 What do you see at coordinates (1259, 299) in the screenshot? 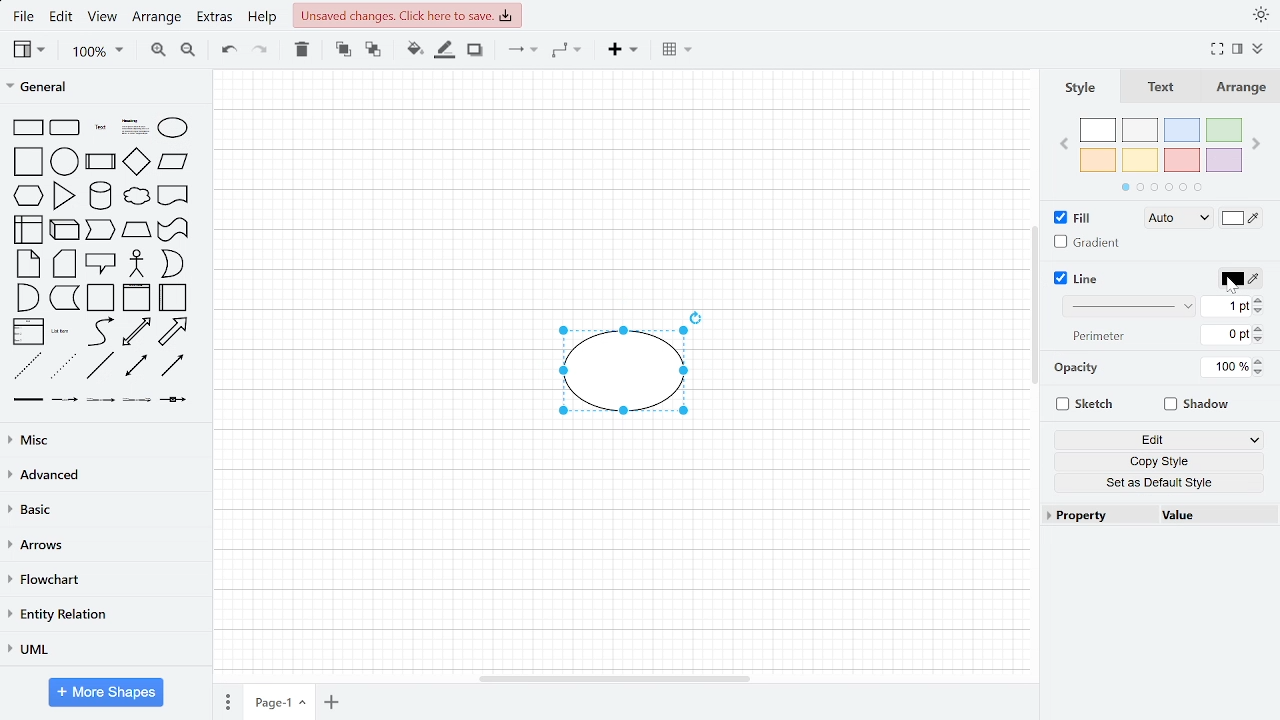
I see `Increae line width` at bounding box center [1259, 299].